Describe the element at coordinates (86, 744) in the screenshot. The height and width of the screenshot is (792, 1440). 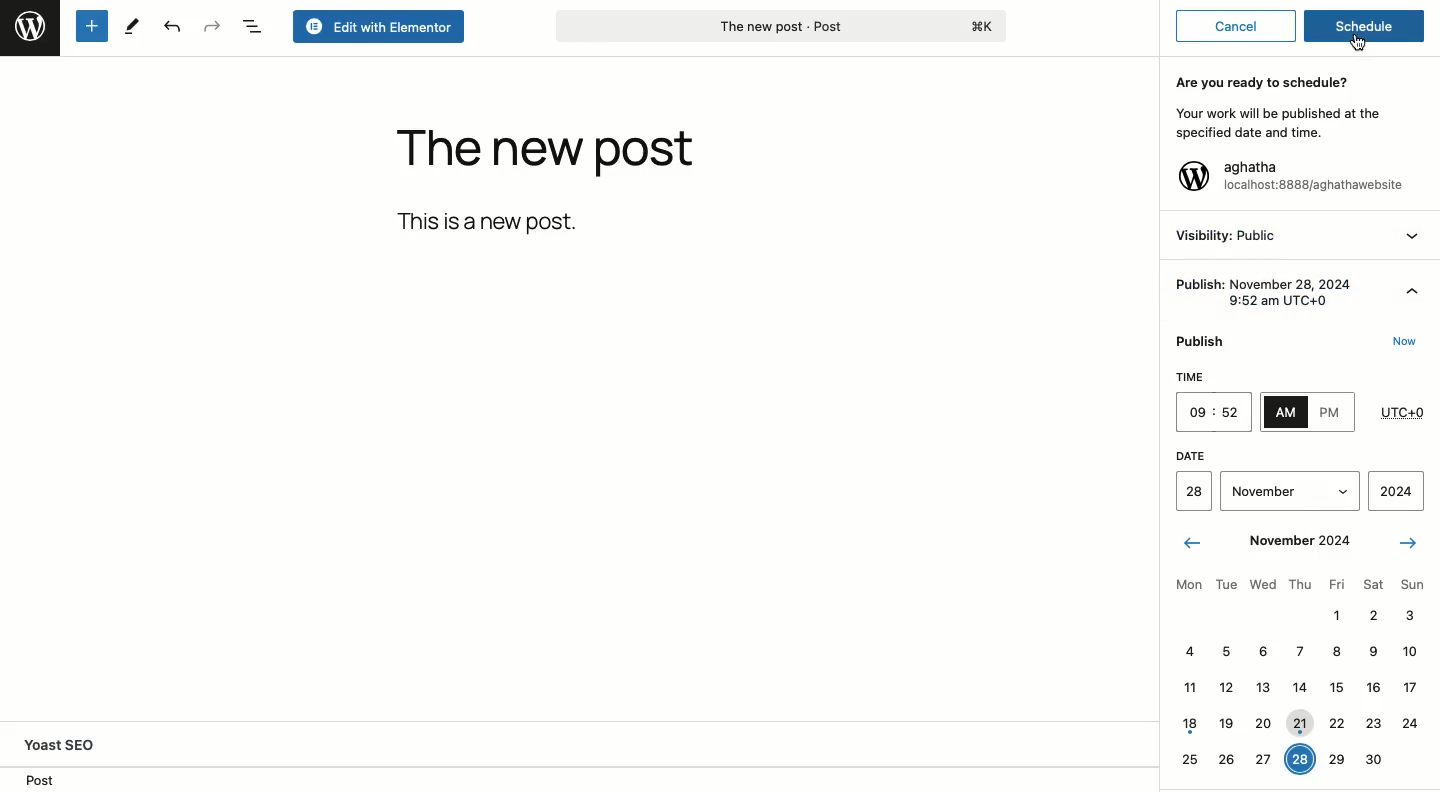
I see `Yoast SEO` at that location.